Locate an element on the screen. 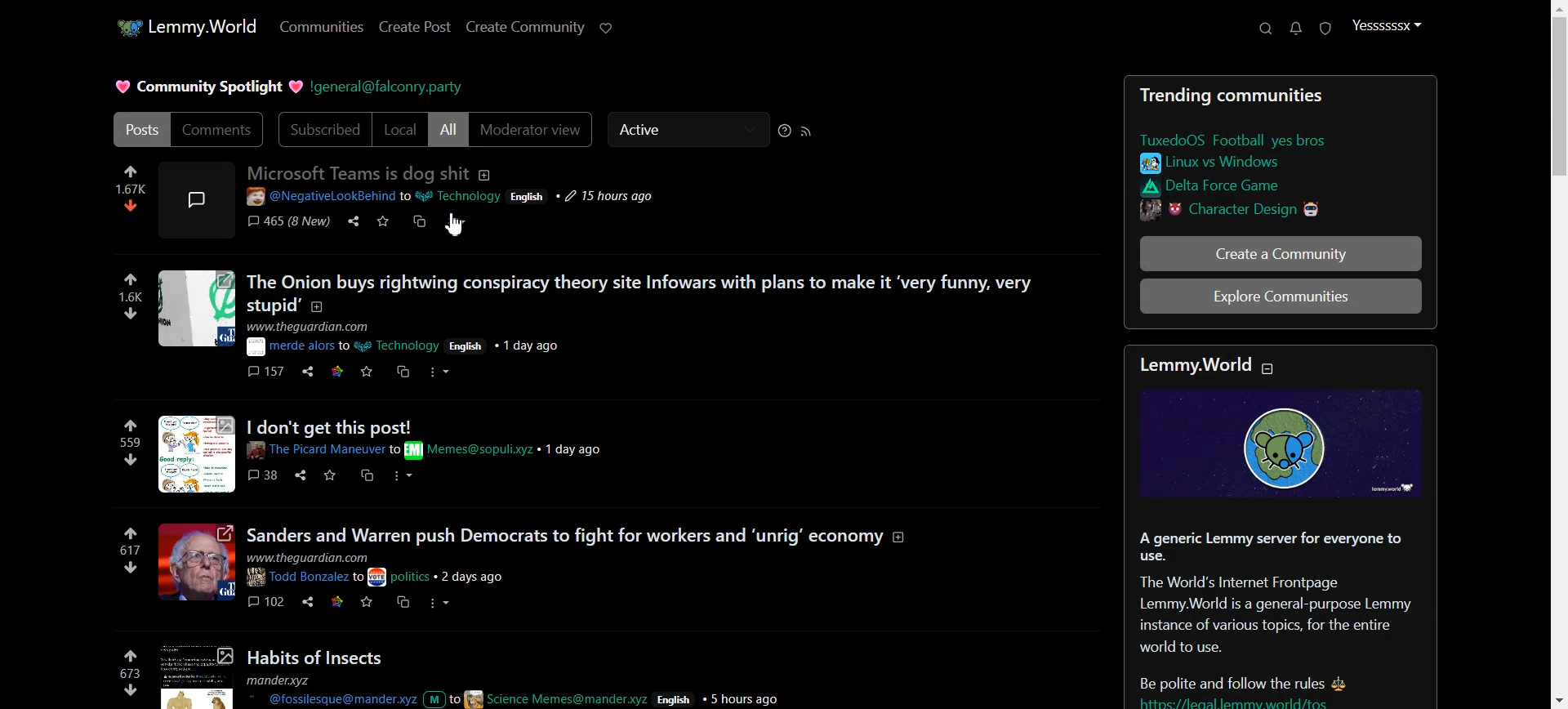 The image size is (1568, 709). post is located at coordinates (474, 187).